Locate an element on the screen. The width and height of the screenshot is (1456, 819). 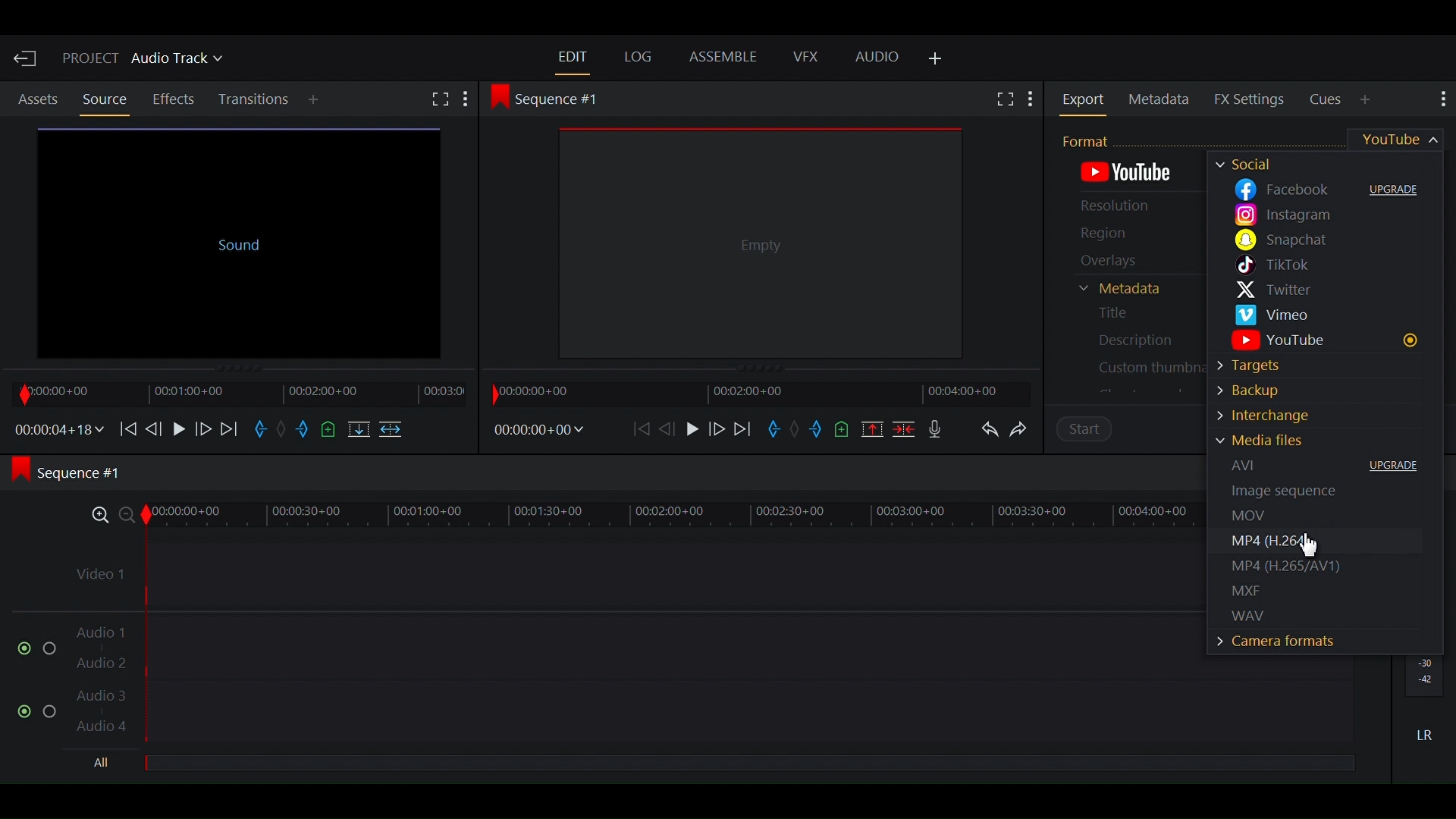
Image Sequence is located at coordinates (1319, 494).